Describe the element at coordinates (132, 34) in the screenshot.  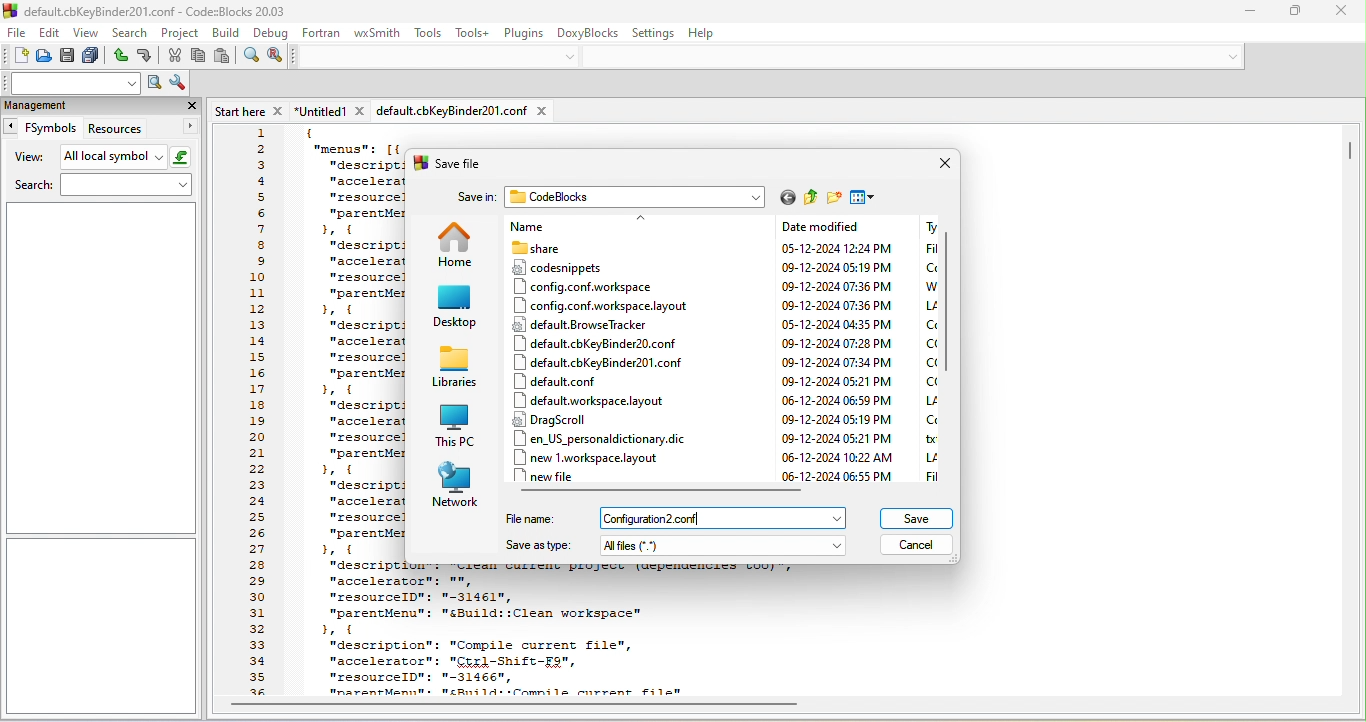
I see `search` at that location.